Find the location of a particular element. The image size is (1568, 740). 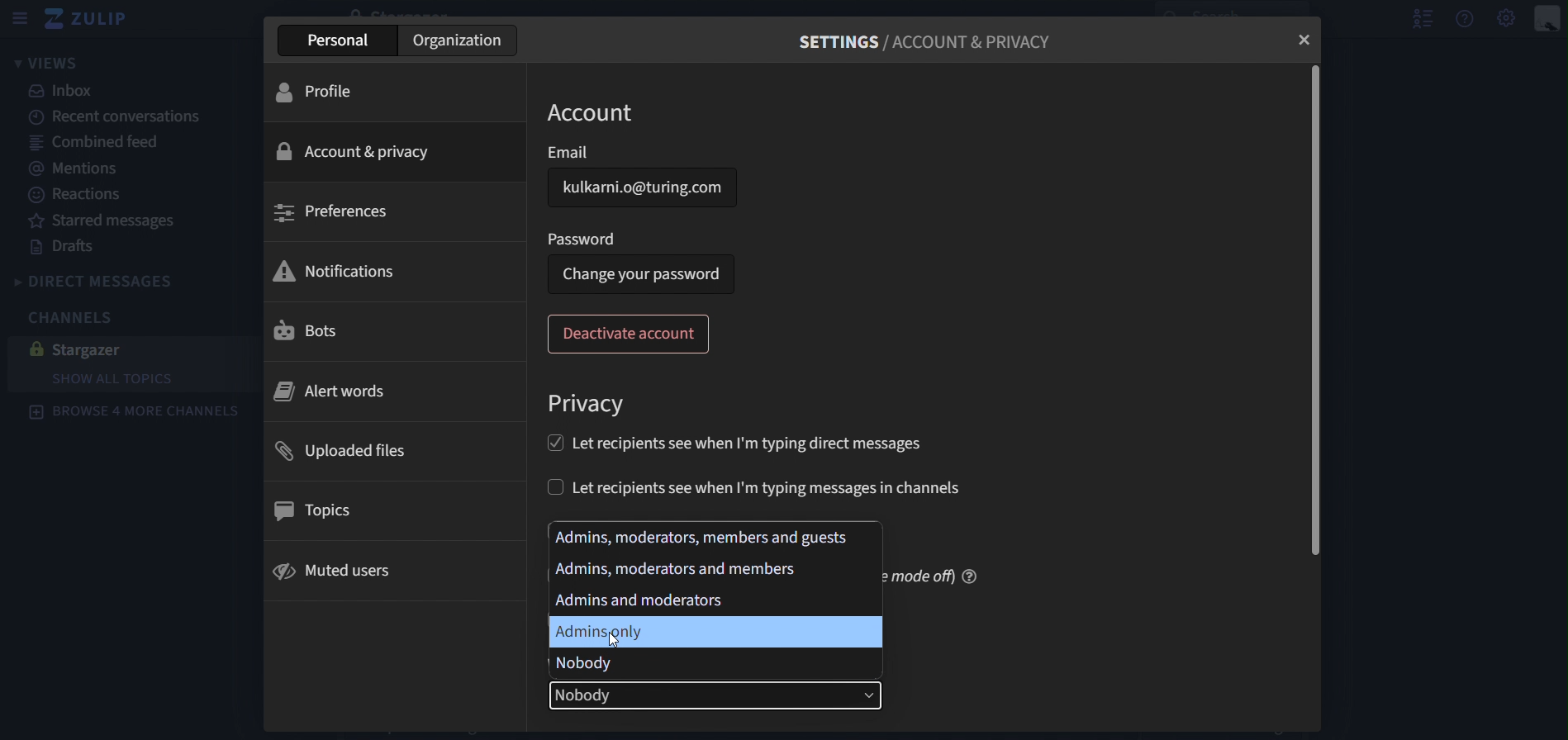

profile is located at coordinates (316, 95).